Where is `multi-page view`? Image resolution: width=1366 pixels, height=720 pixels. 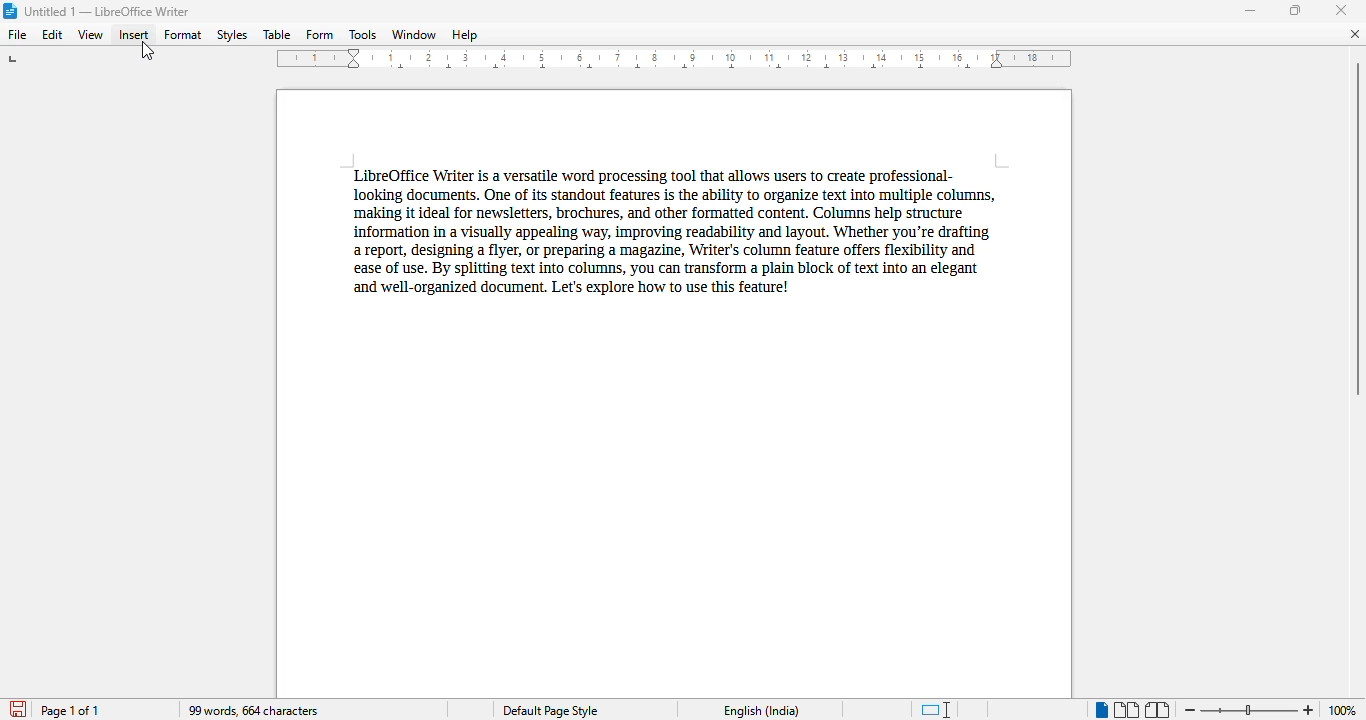
multi-page view is located at coordinates (1126, 710).